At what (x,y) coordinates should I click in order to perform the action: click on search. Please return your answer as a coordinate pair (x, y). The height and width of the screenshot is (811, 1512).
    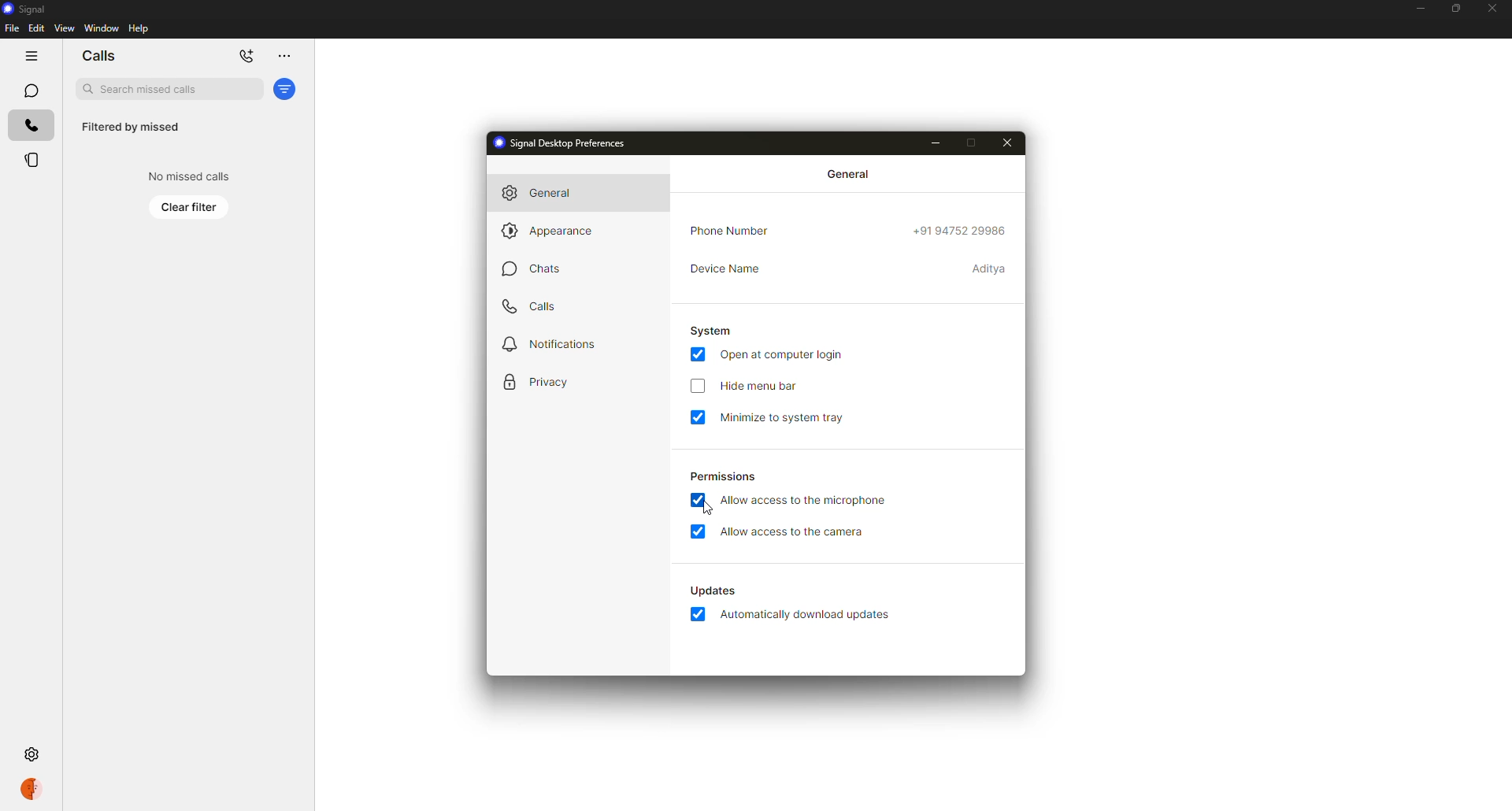
    Looking at the image, I should click on (169, 89).